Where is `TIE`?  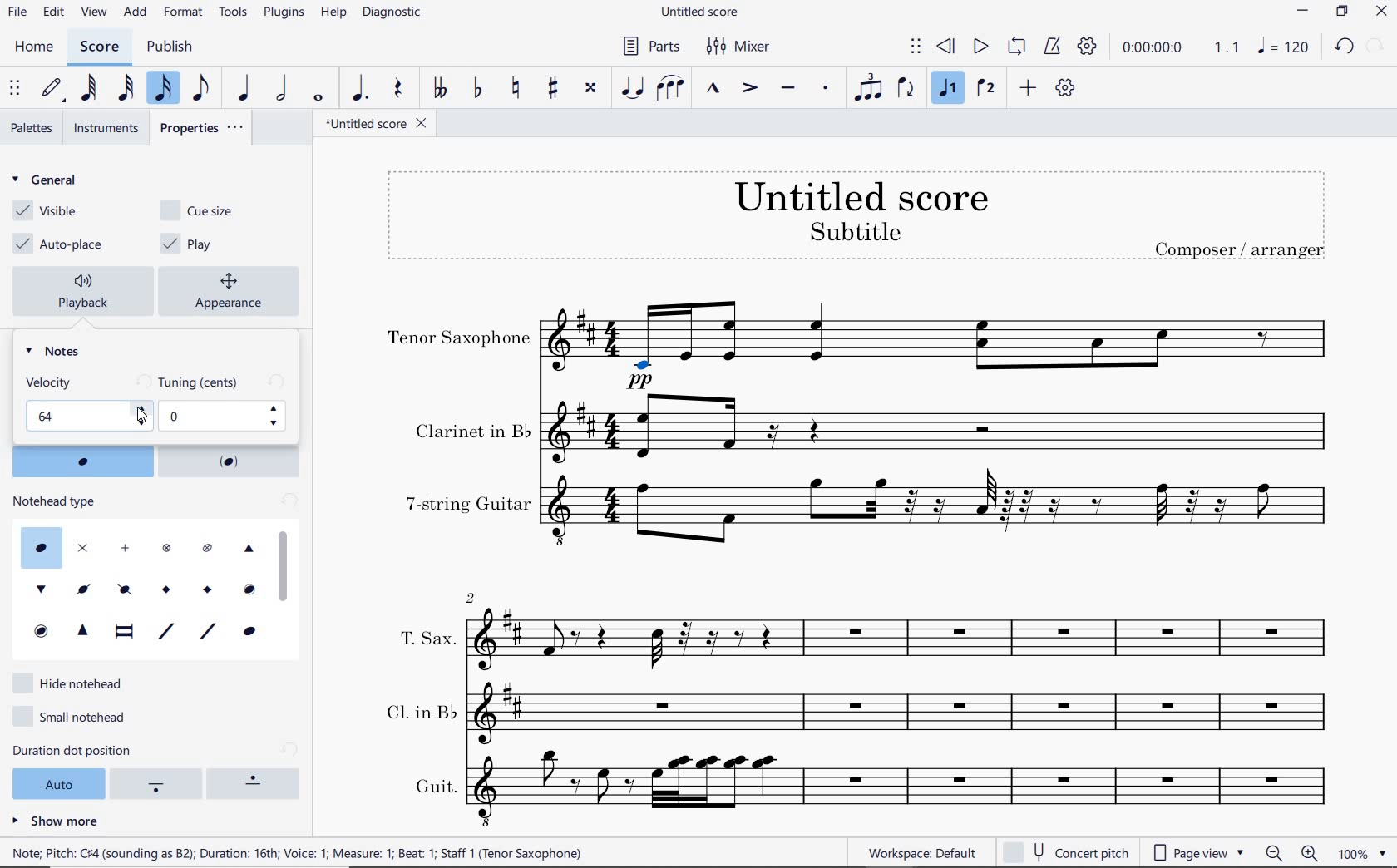 TIE is located at coordinates (633, 87).